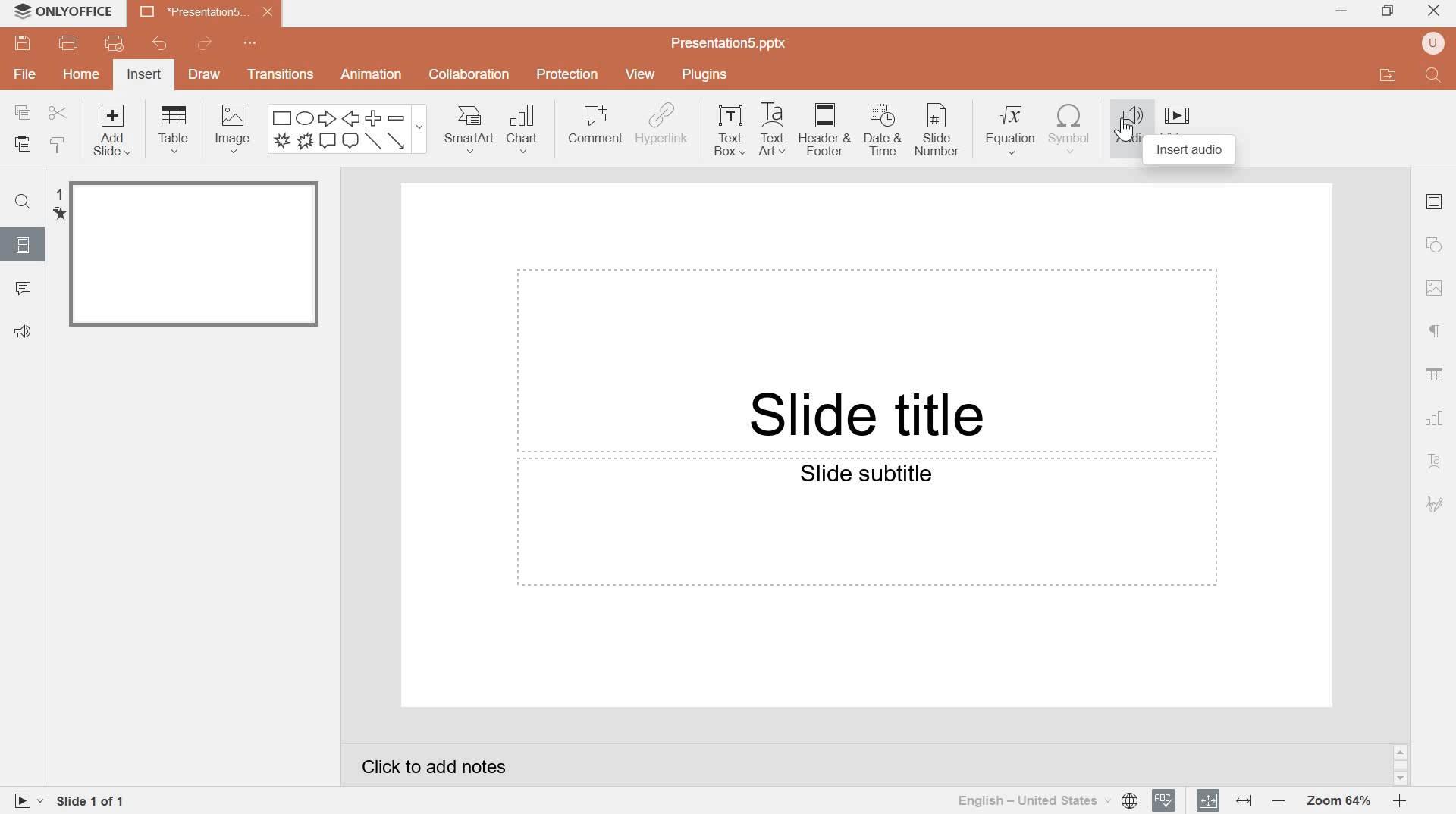 The image size is (1456, 814). I want to click on copy, so click(24, 112).